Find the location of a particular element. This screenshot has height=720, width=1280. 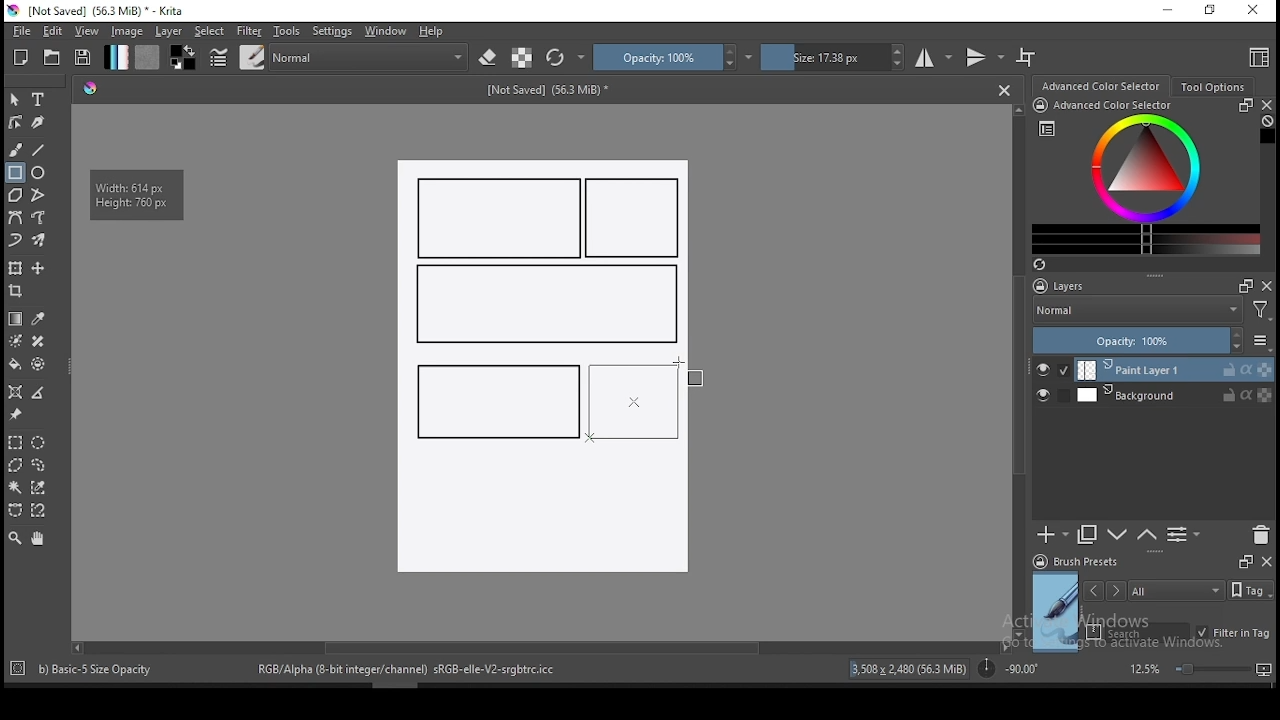

opacity is located at coordinates (1150, 342).